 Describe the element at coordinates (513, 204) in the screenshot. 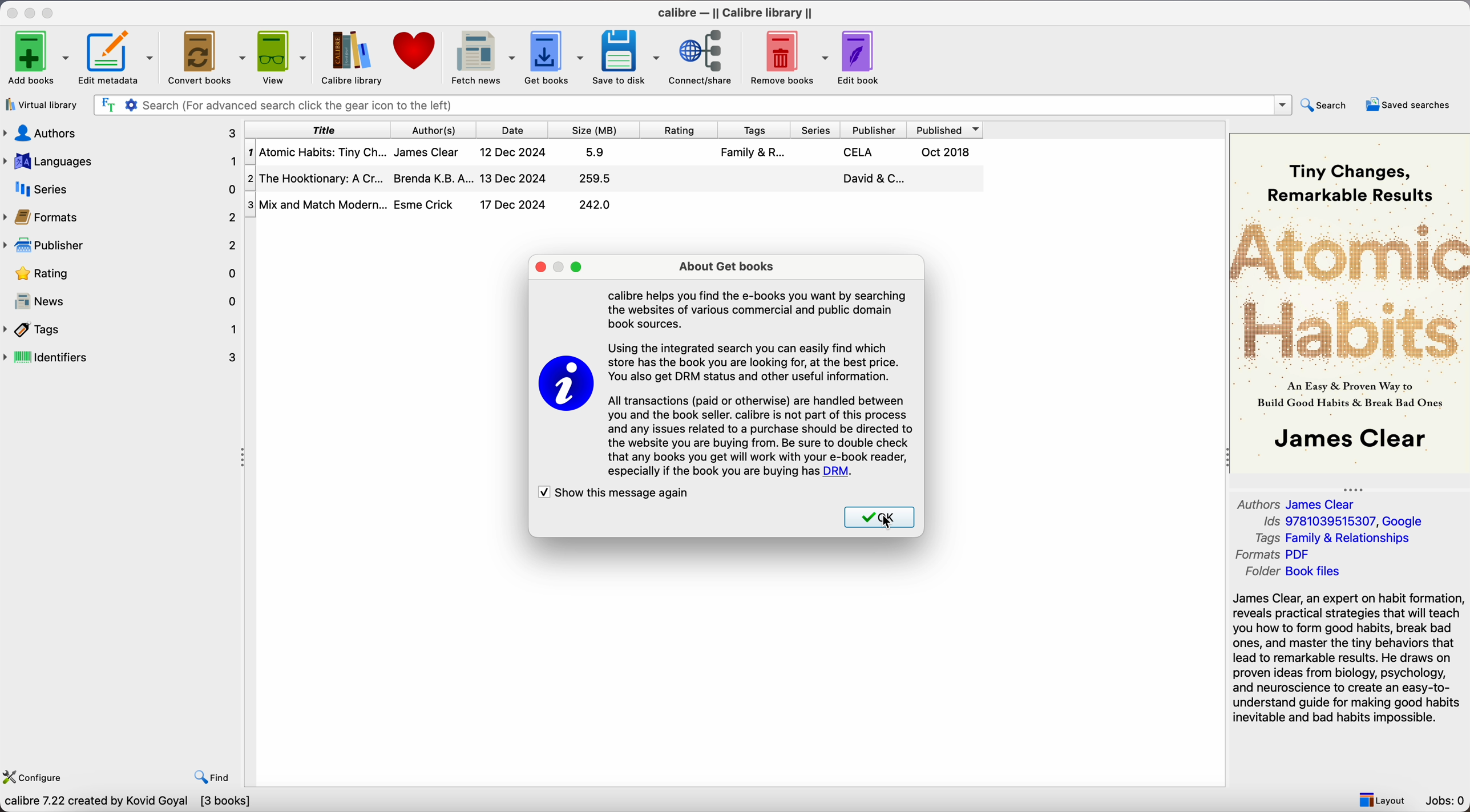

I see `17 Dec 2024` at that location.